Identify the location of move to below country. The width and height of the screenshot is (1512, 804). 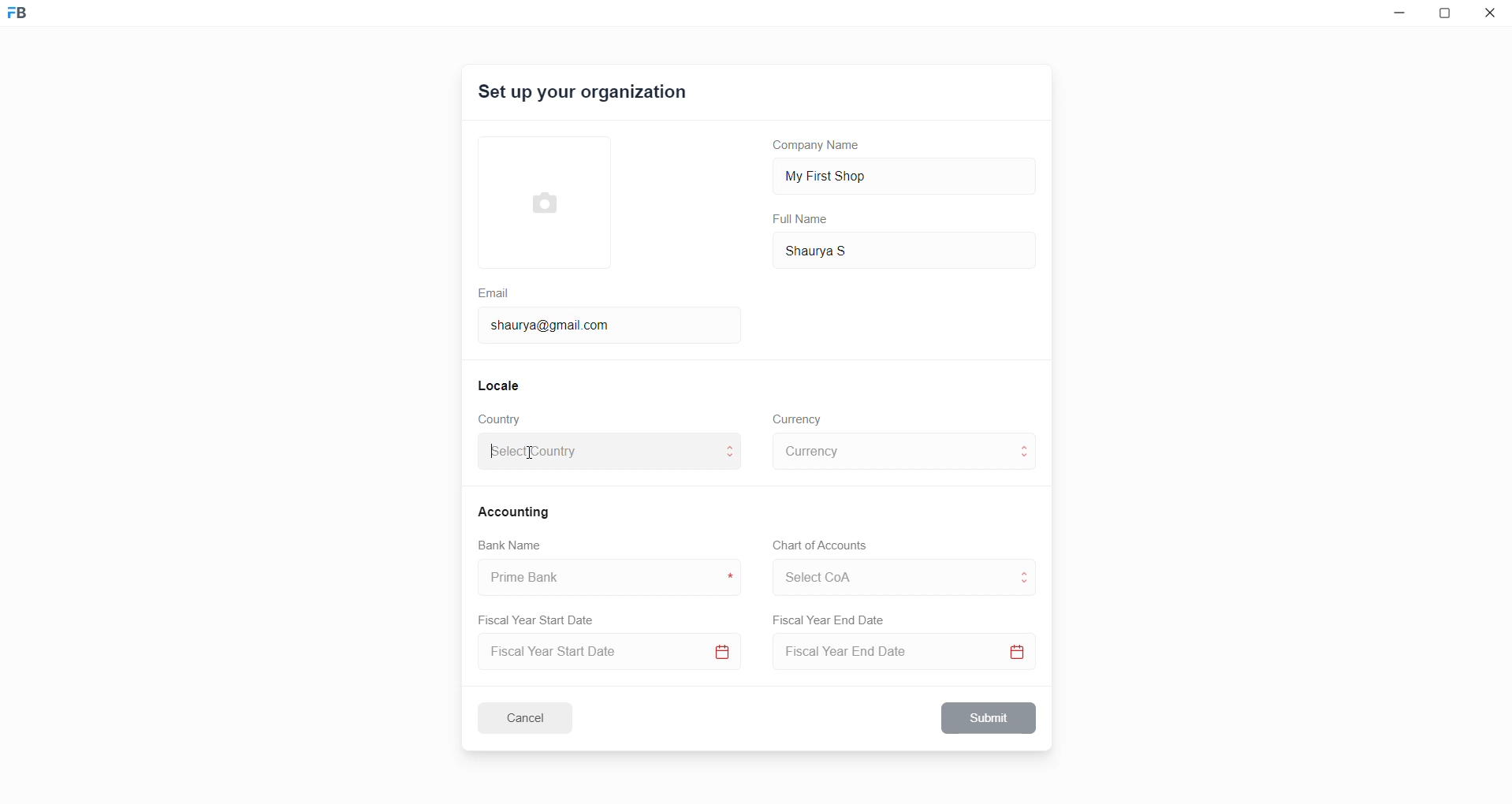
(733, 461).